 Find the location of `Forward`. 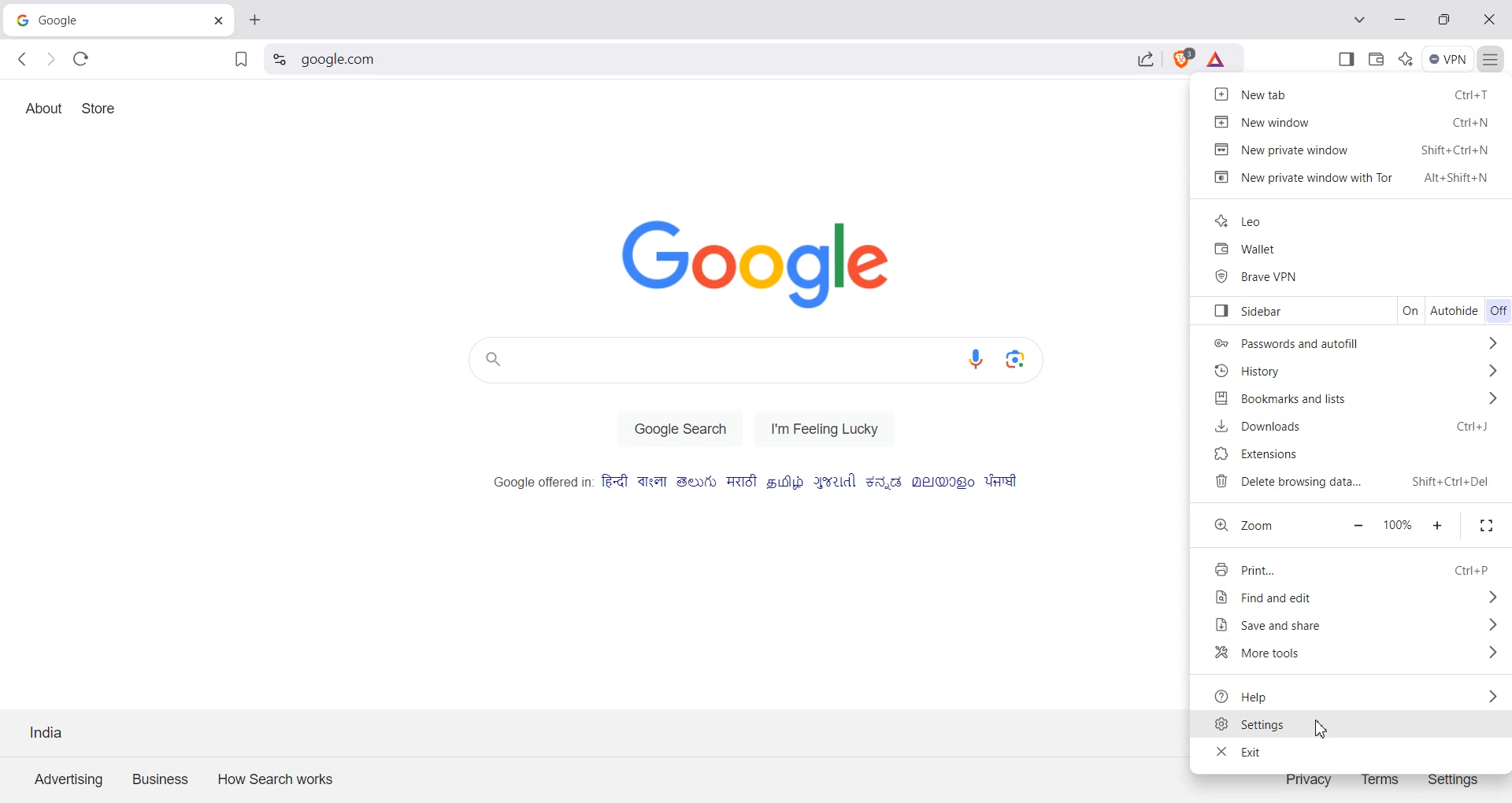

Forward is located at coordinates (50, 60).